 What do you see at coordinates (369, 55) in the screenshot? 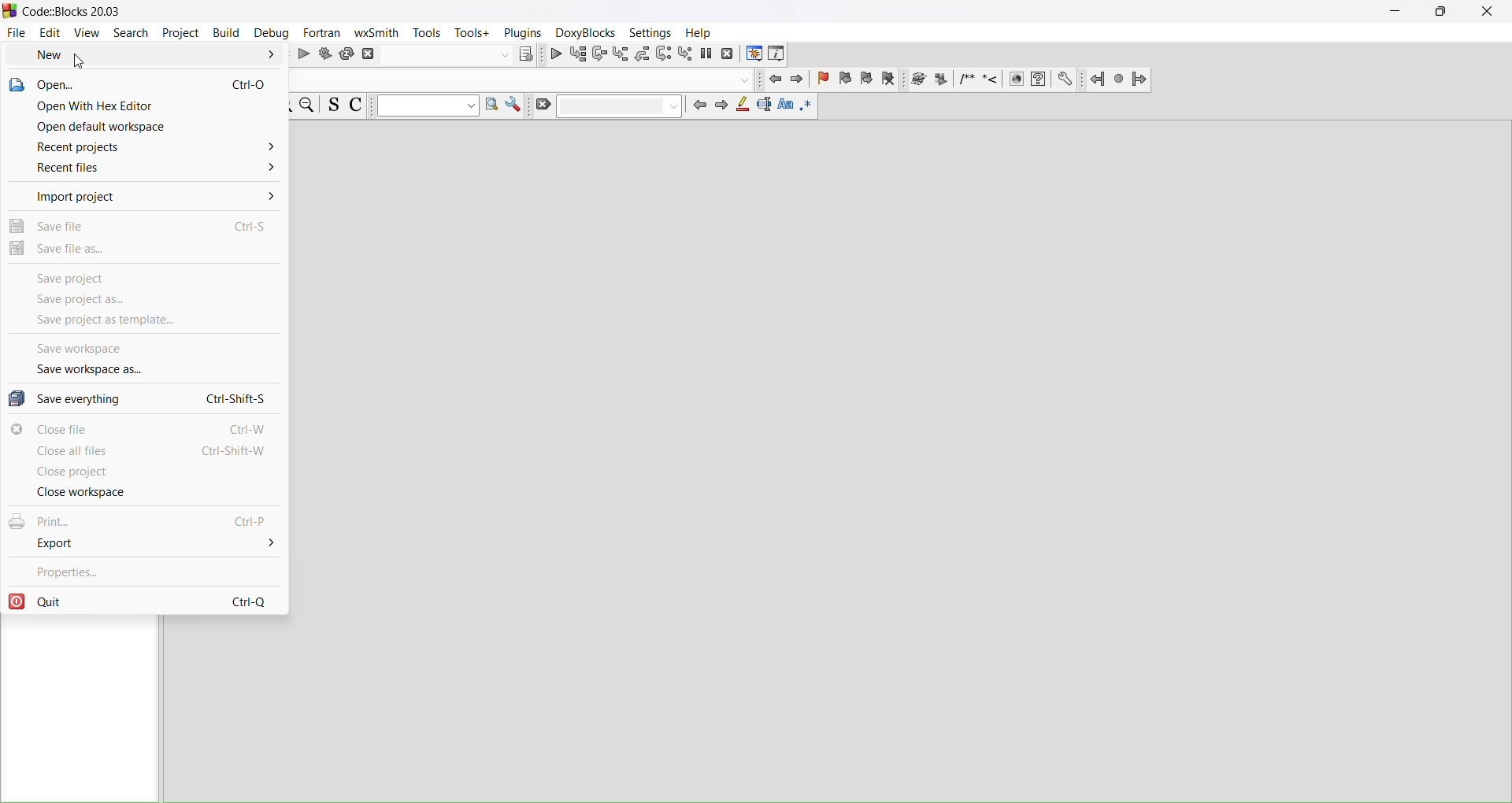
I see `abort` at bounding box center [369, 55].